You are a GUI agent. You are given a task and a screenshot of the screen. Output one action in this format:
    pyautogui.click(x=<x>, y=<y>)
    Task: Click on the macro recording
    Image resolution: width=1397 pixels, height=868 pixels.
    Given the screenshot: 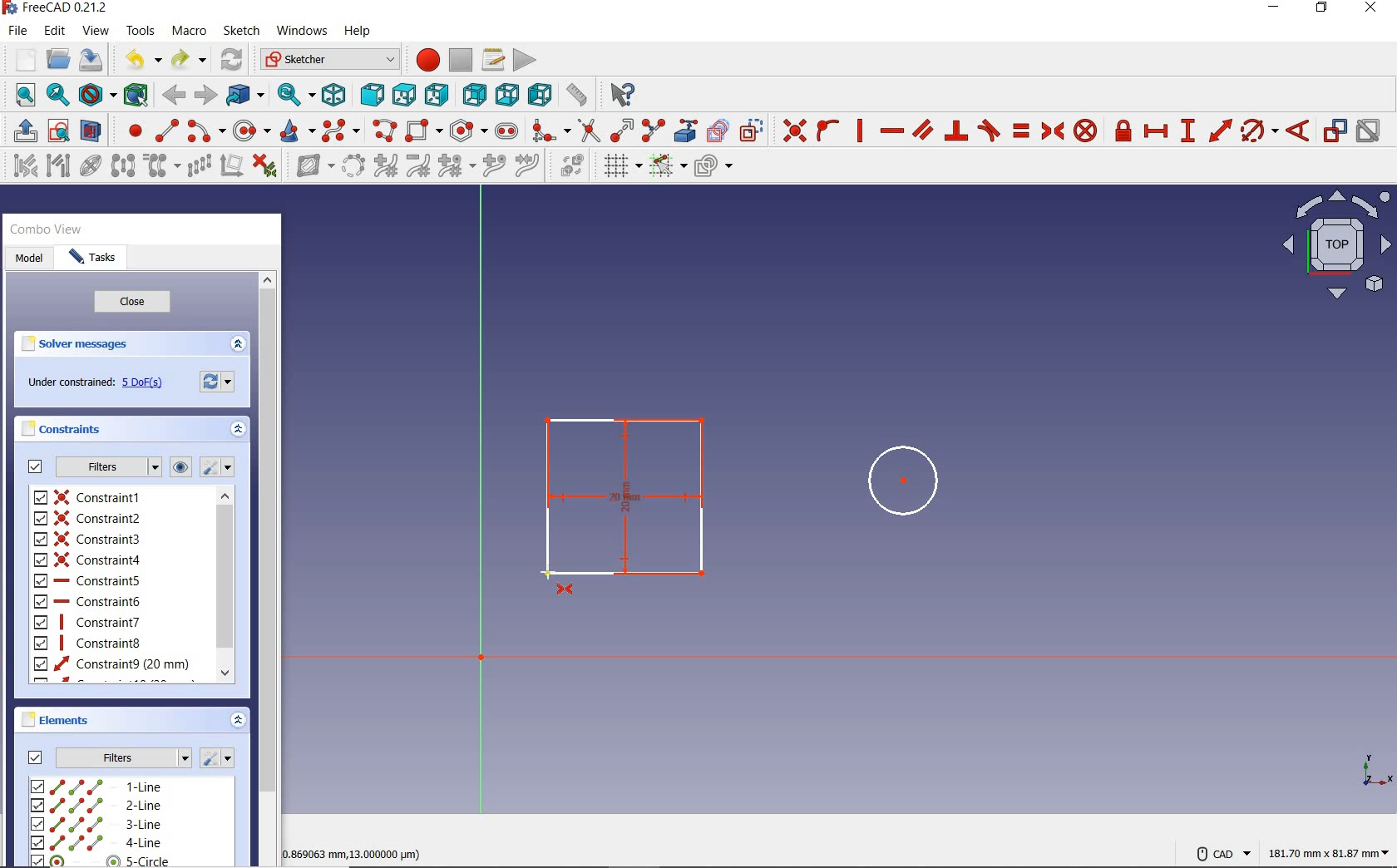 What is the action you would take?
    pyautogui.click(x=426, y=58)
    